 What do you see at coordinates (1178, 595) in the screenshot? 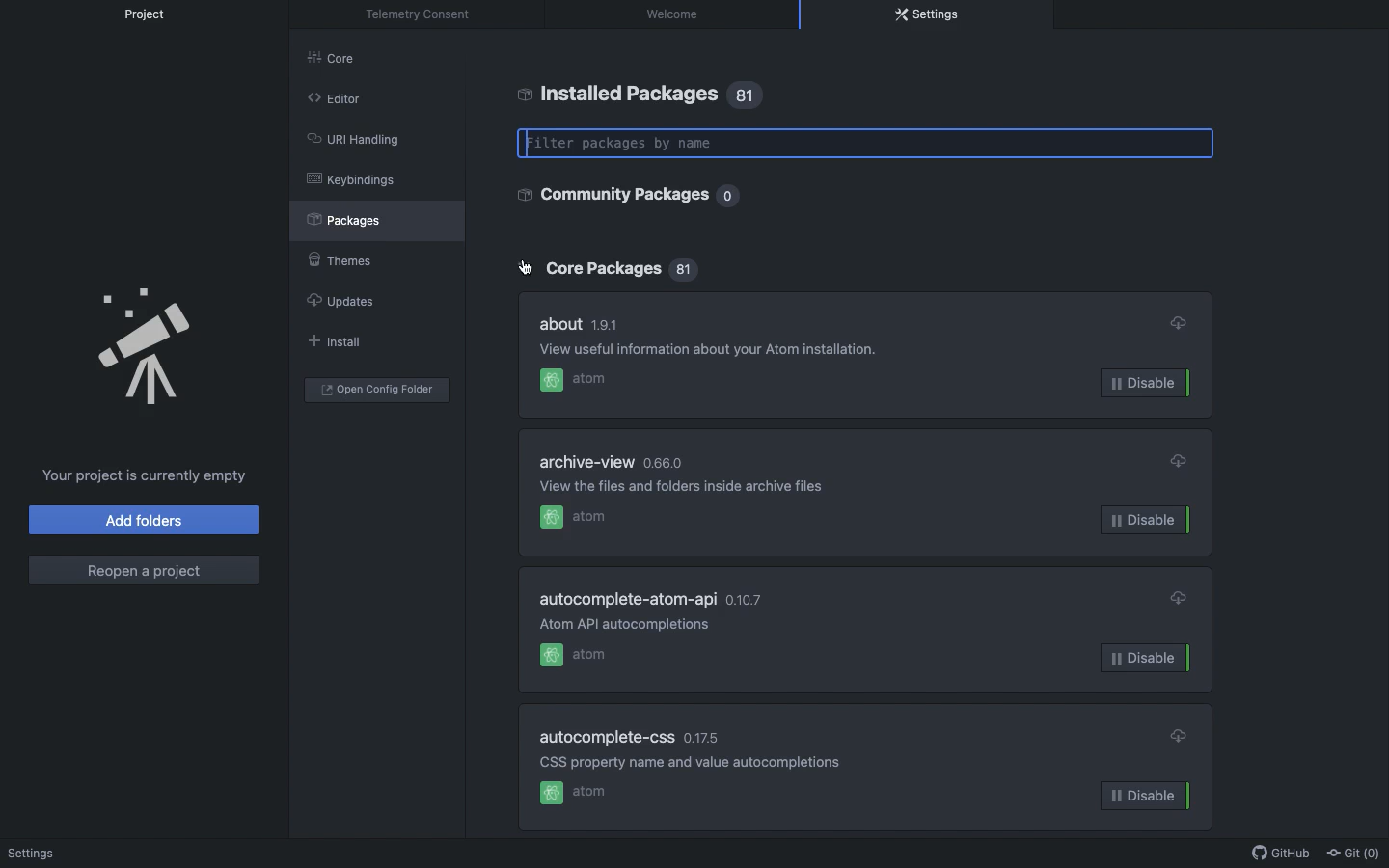
I see `Cloud` at bounding box center [1178, 595].